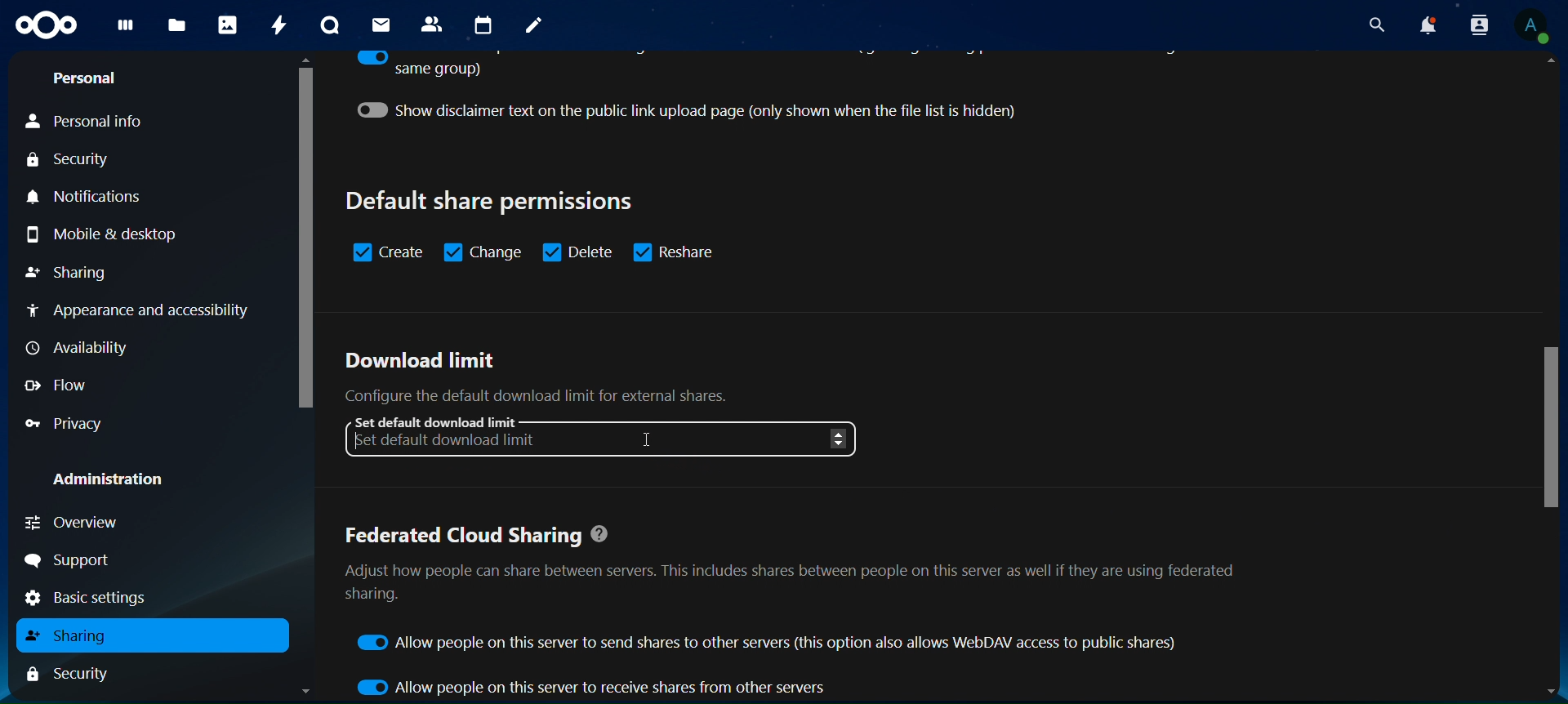  Describe the element at coordinates (1552, 377) in the screenshot. I see `Scrollbar` at that location.